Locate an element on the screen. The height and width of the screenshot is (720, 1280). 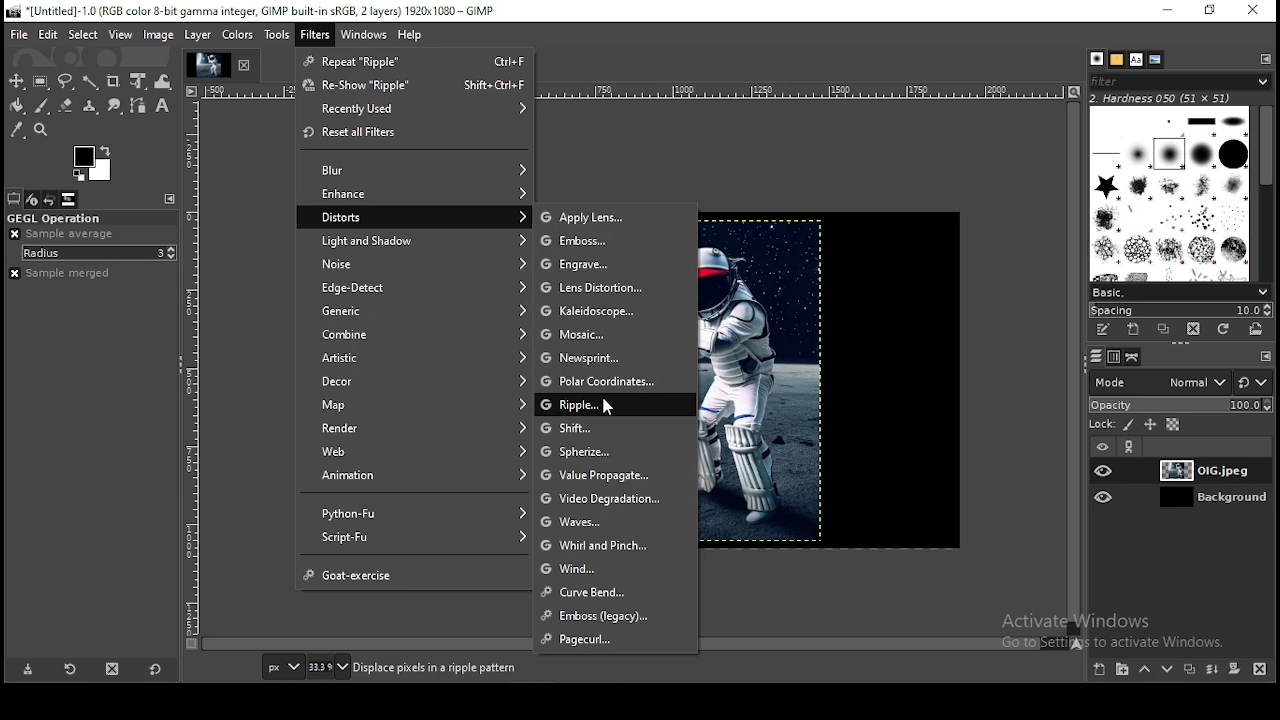
gegl operation is located at coordinates (89, 218).